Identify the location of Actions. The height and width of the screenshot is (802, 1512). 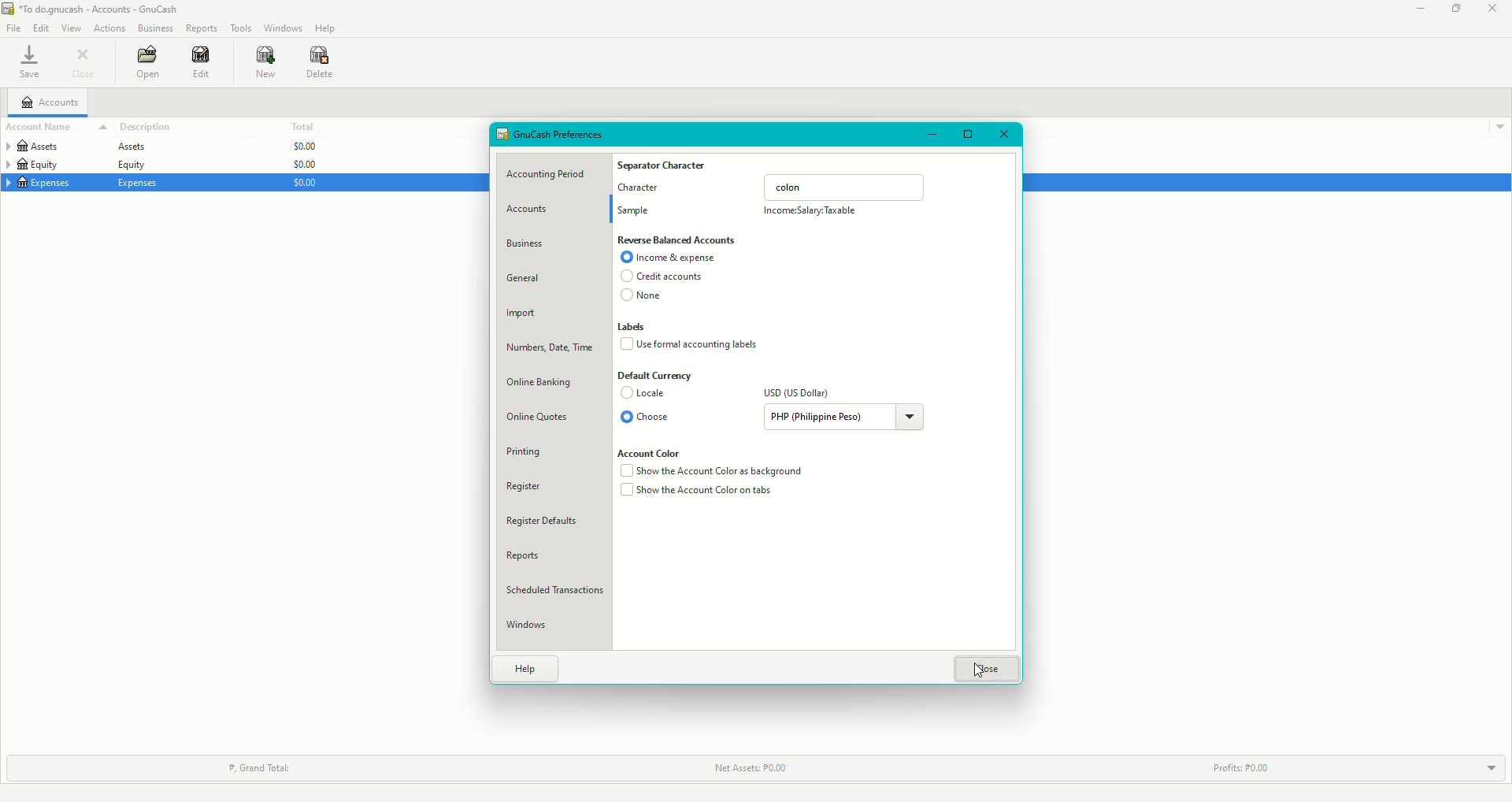
(111, 28).